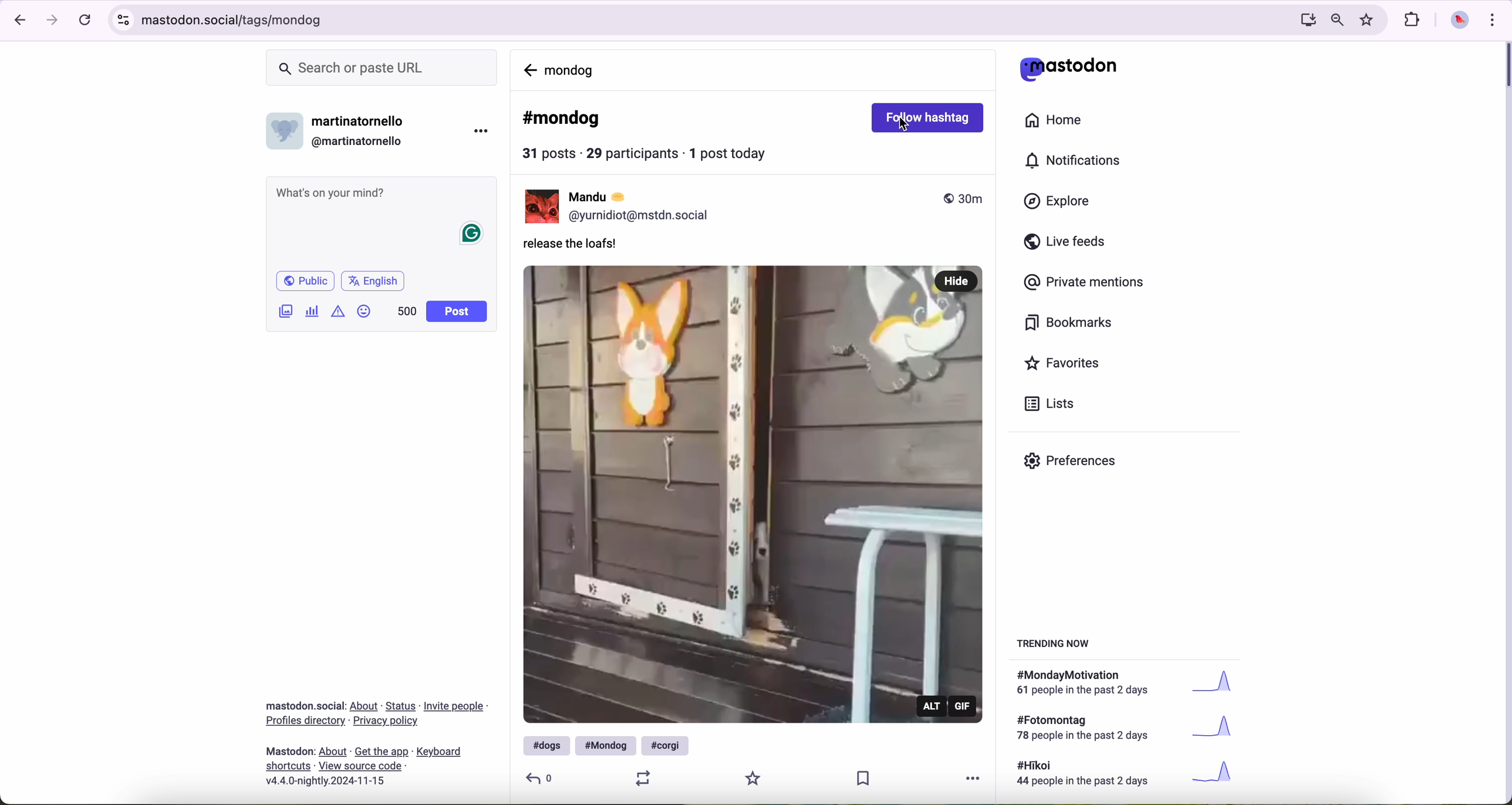  I want to click on link, so click(289, 767).